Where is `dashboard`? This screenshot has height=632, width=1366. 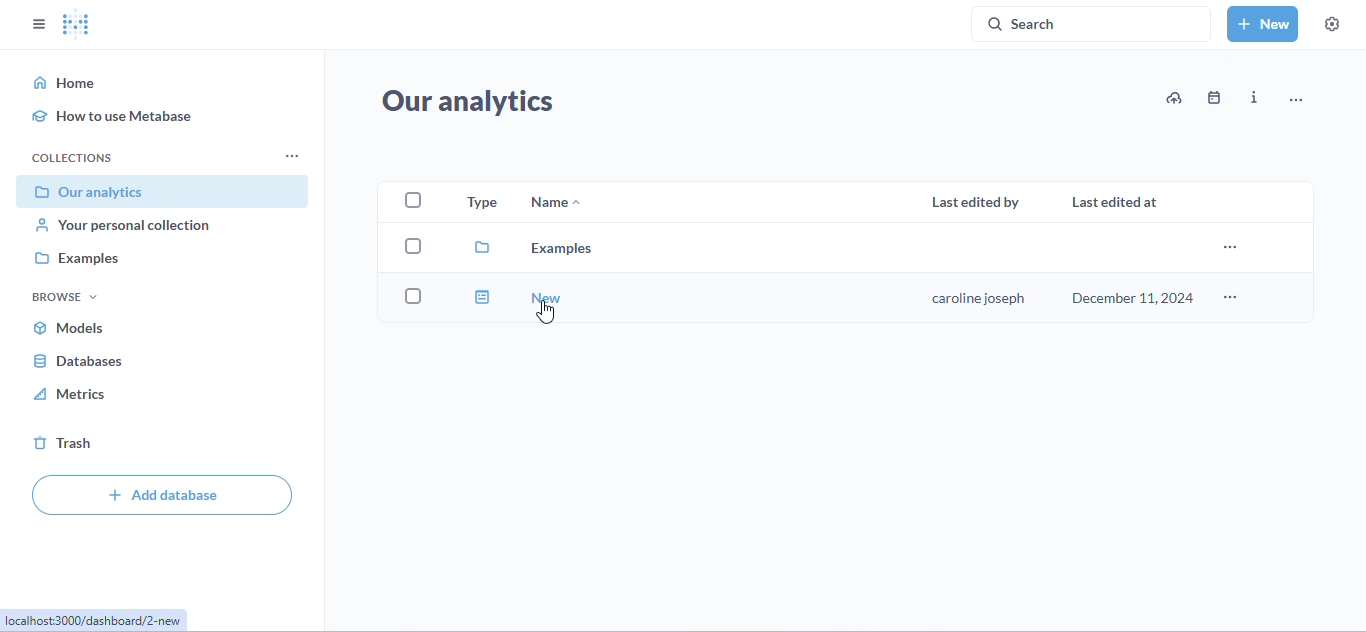 dashboard is located at coordinates (482, 296).